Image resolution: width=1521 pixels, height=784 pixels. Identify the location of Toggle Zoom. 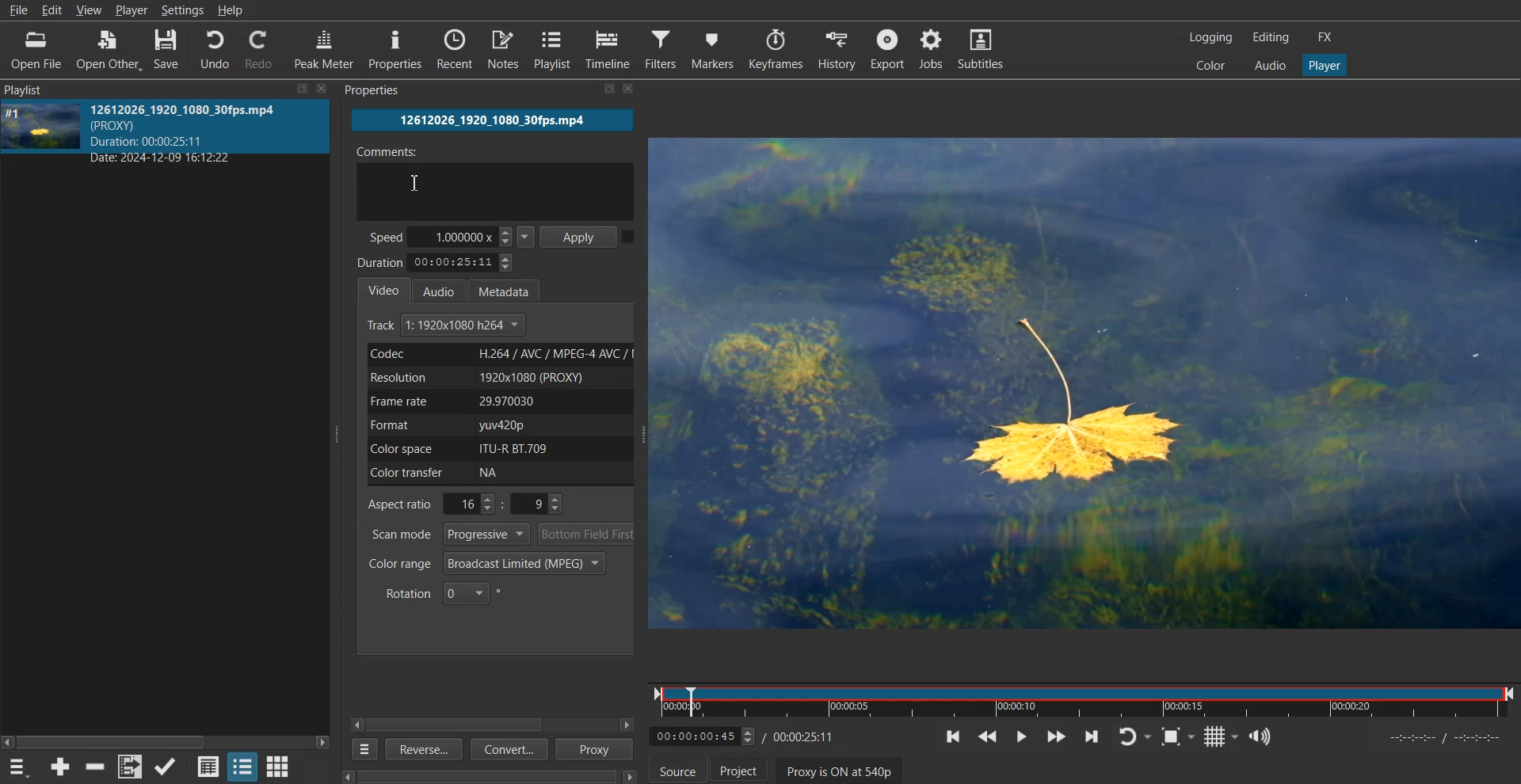
(1178, 736).